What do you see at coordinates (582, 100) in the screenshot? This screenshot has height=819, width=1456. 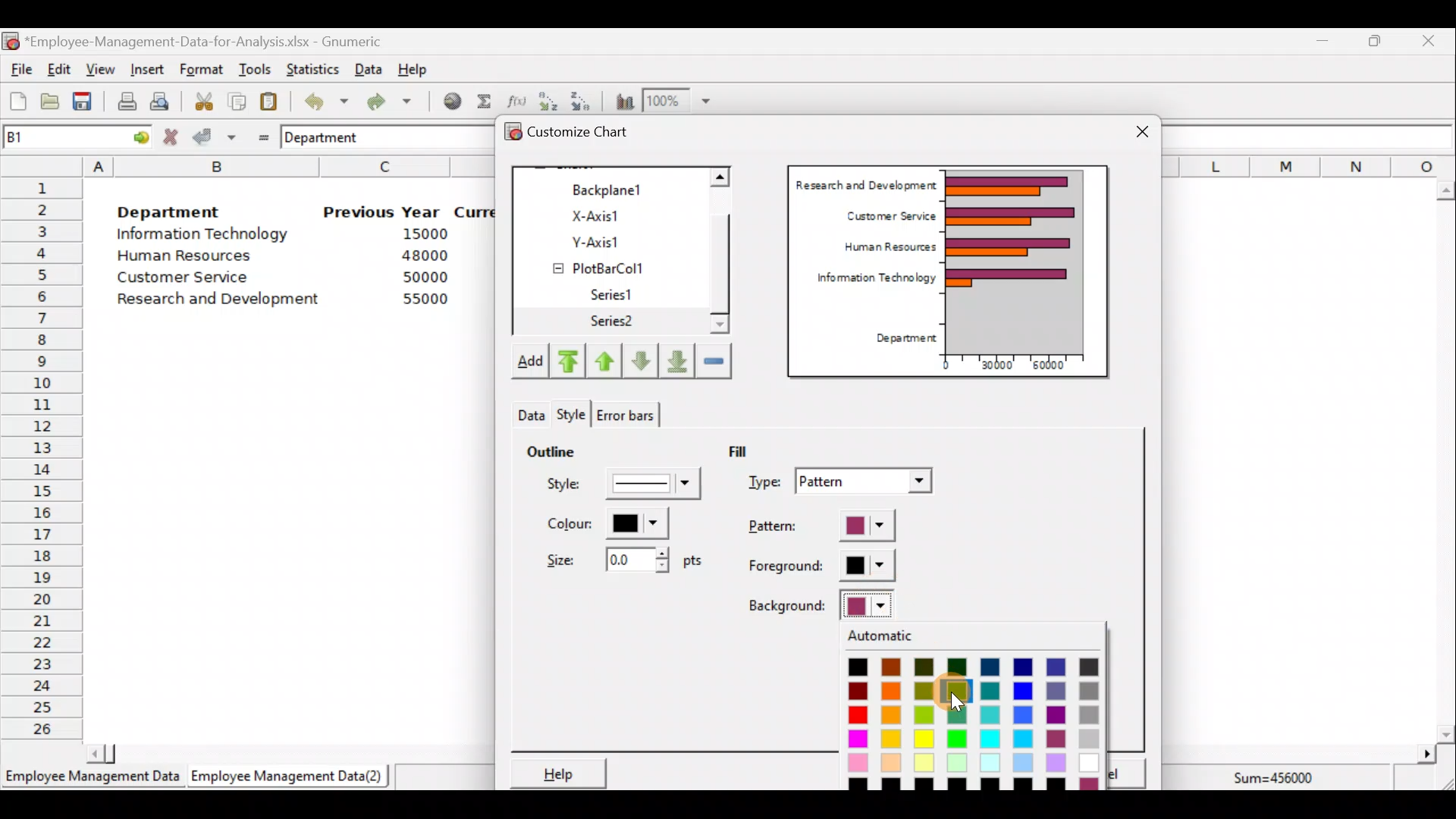 I see `Sort in descending order` at bounding box center [582, 100].